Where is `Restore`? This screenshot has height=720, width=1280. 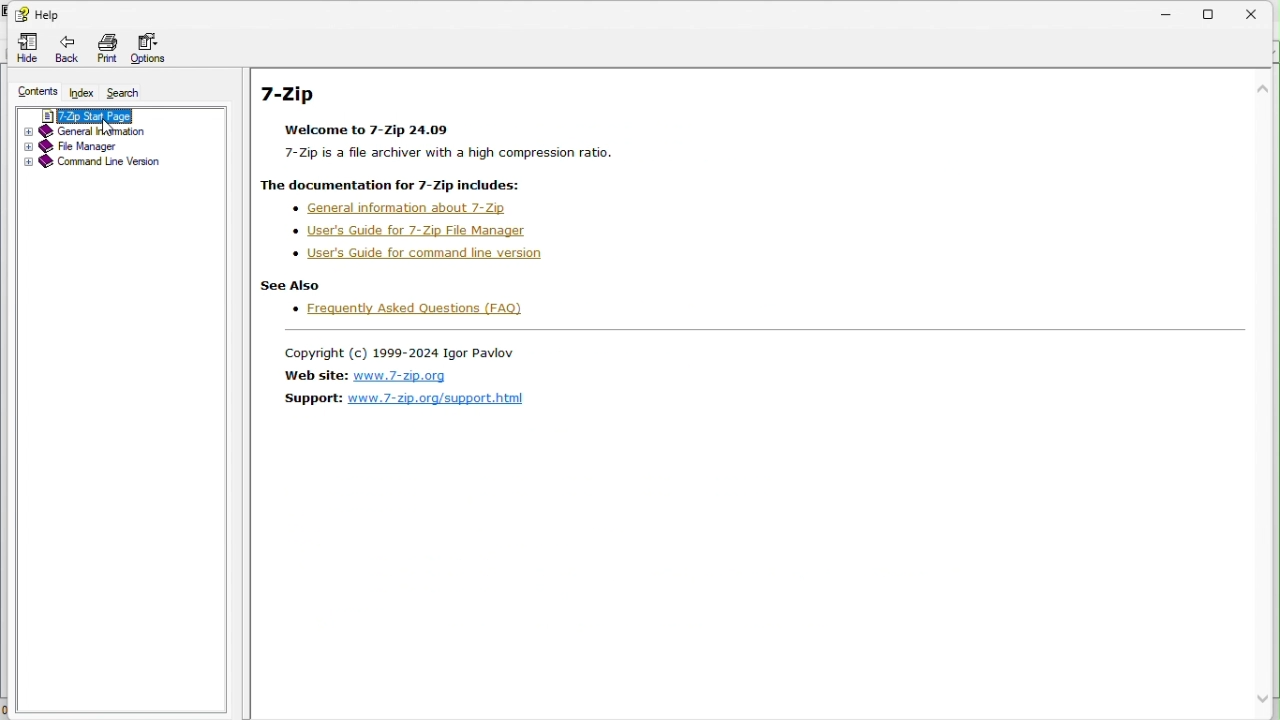 Restore is located at coordinates (1215, 12).